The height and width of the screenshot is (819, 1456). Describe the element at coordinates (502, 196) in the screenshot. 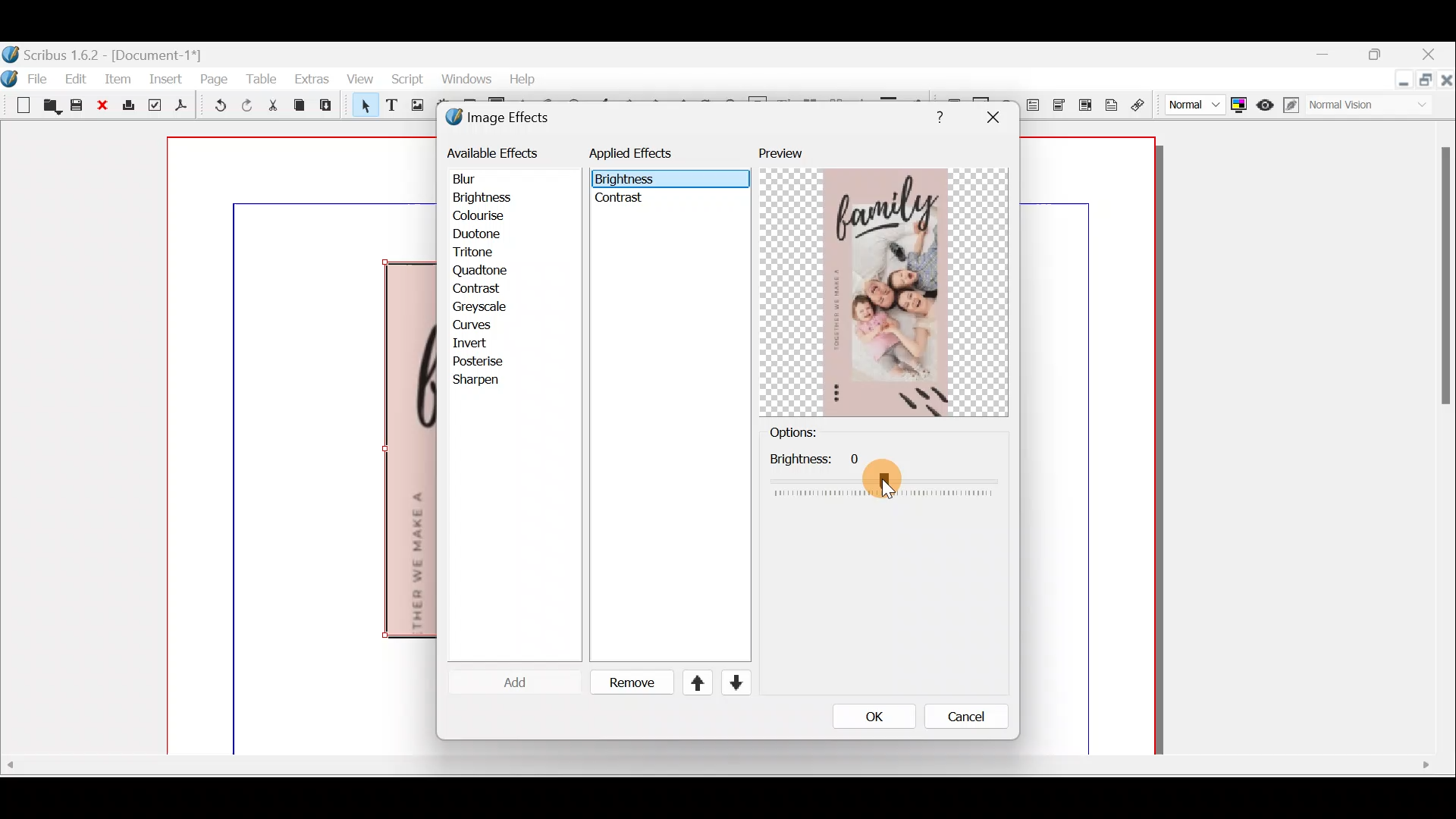

I see `Brightness` at that location.